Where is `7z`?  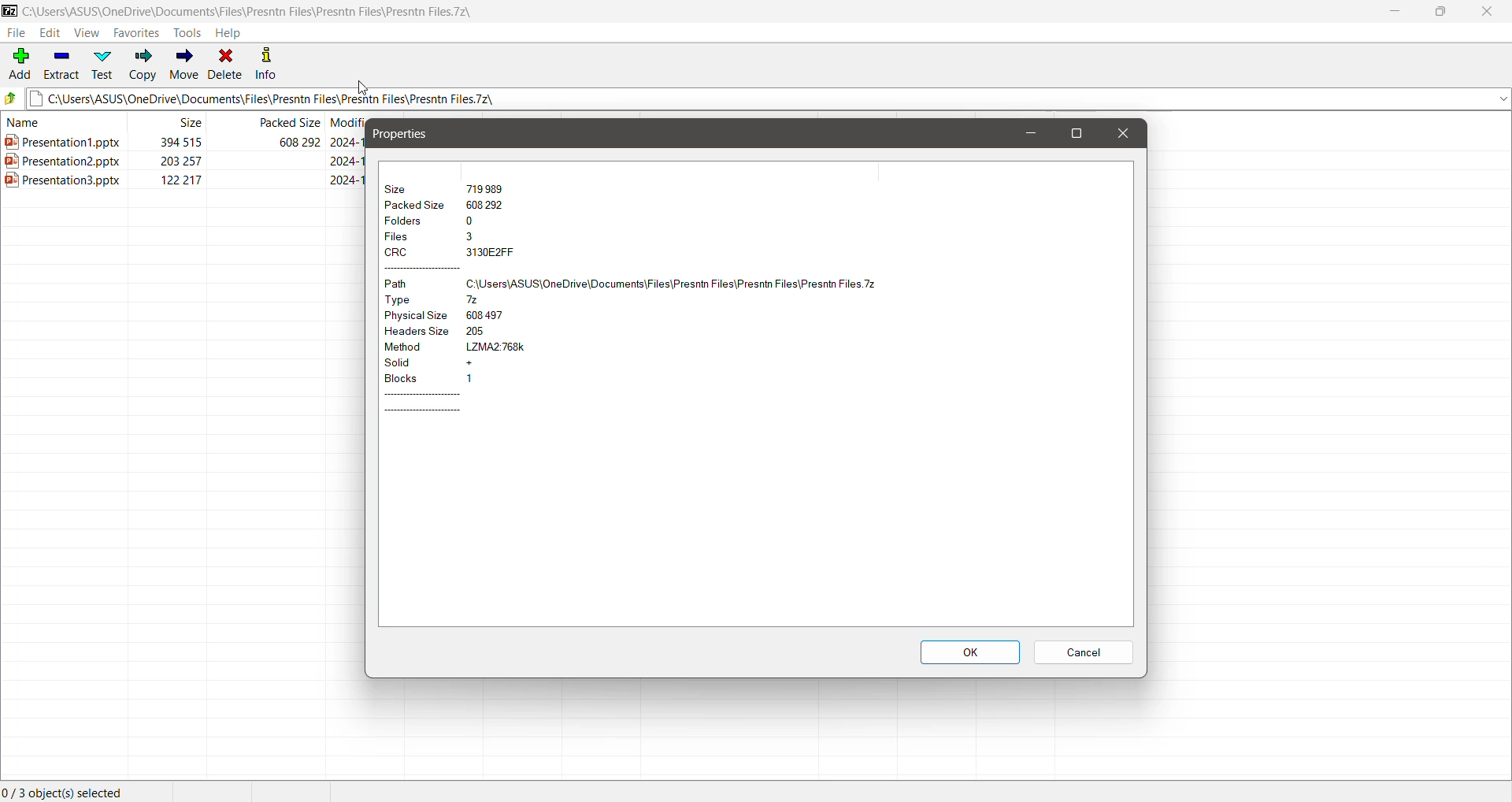
7z is located at coordinates (474, 298).